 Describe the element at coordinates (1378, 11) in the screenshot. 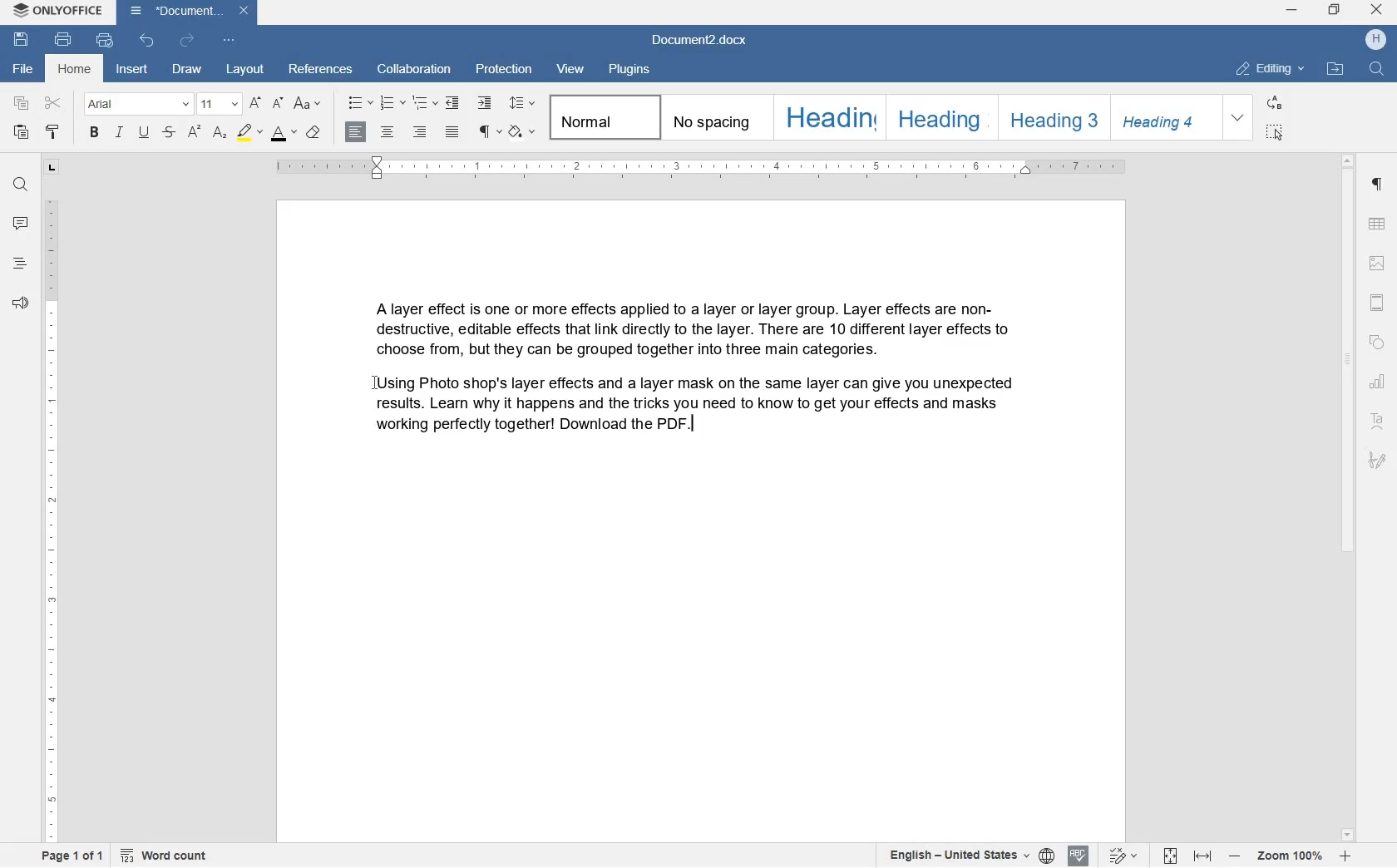

I see `close` at that location.